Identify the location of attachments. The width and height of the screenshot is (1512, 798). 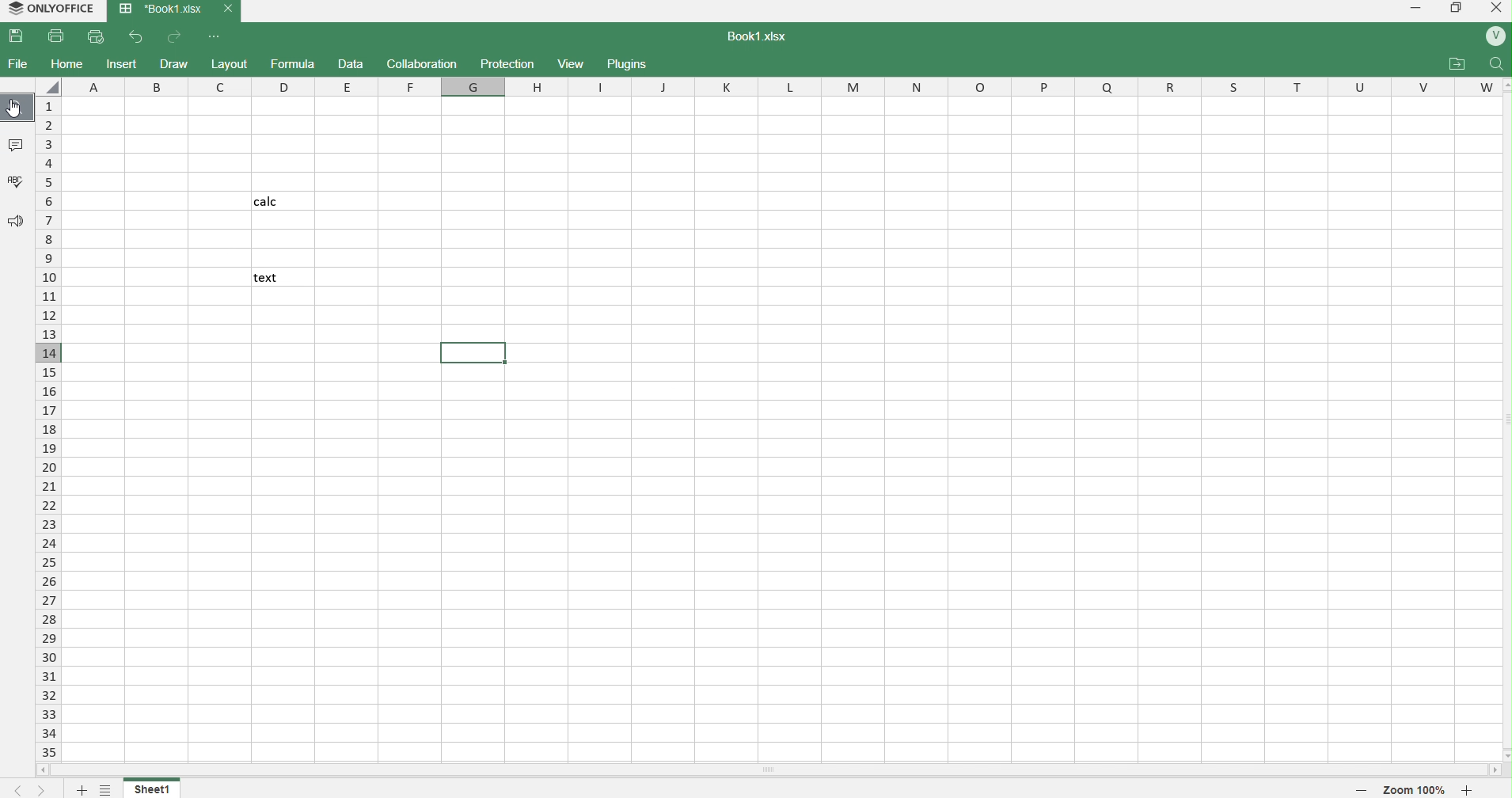
(1460, 62).